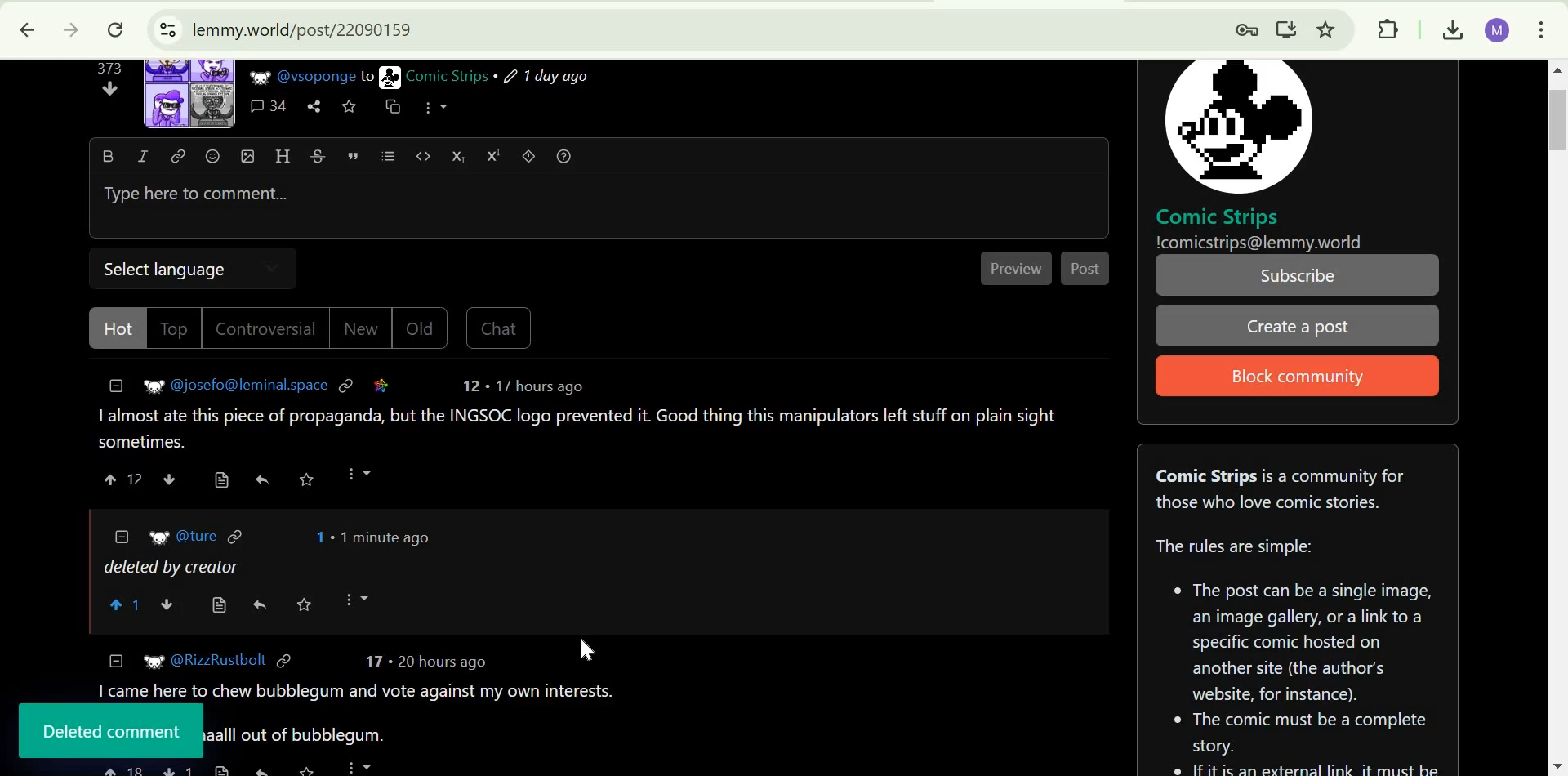  Describe the element at coordinates (301, 736) in the screenshot. I see `posts` at that location.